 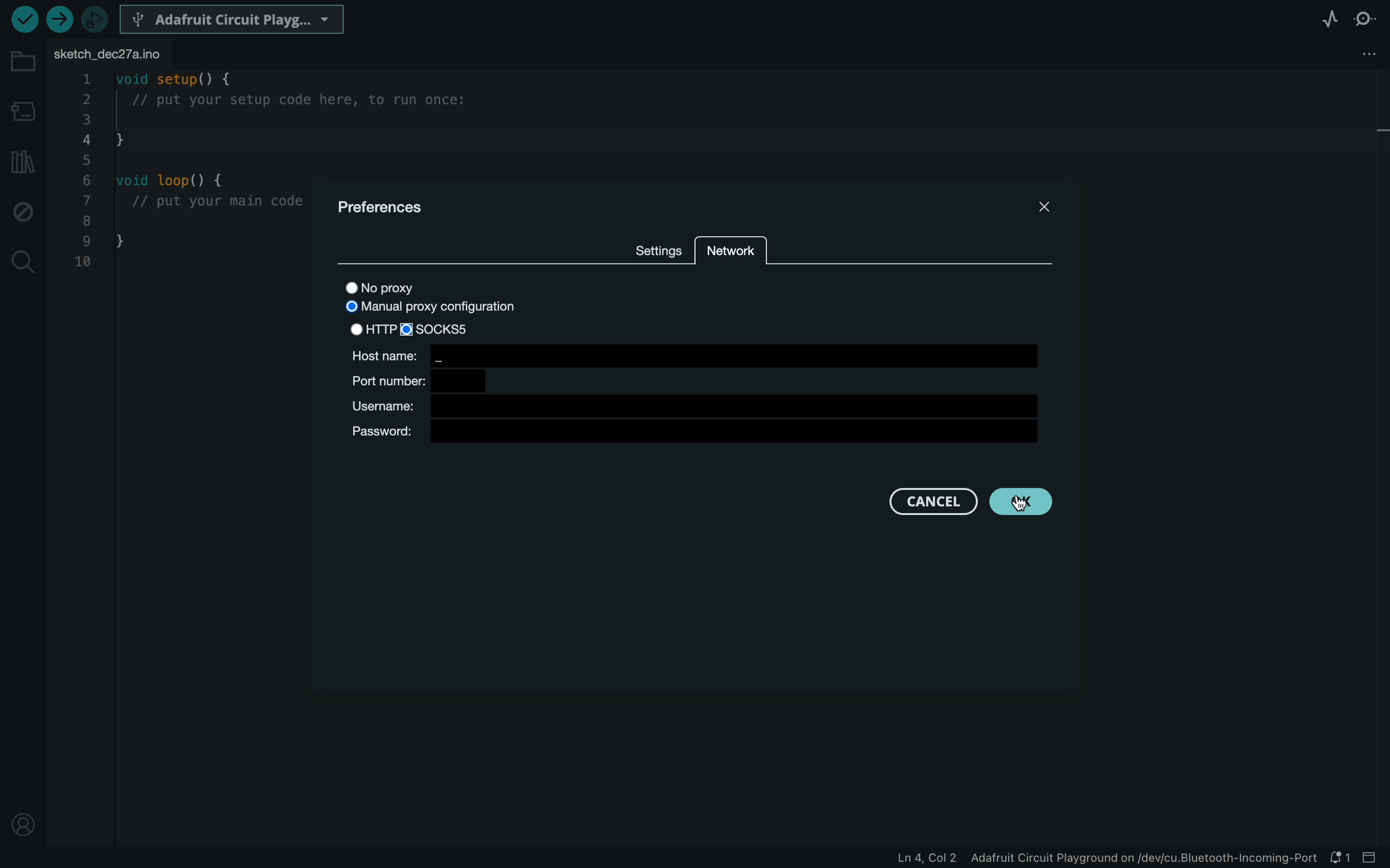 What do you see at coordinates (234, 18) in the screenshot?
I see `BOARD SELECTER` at bounding box center [234, 18].